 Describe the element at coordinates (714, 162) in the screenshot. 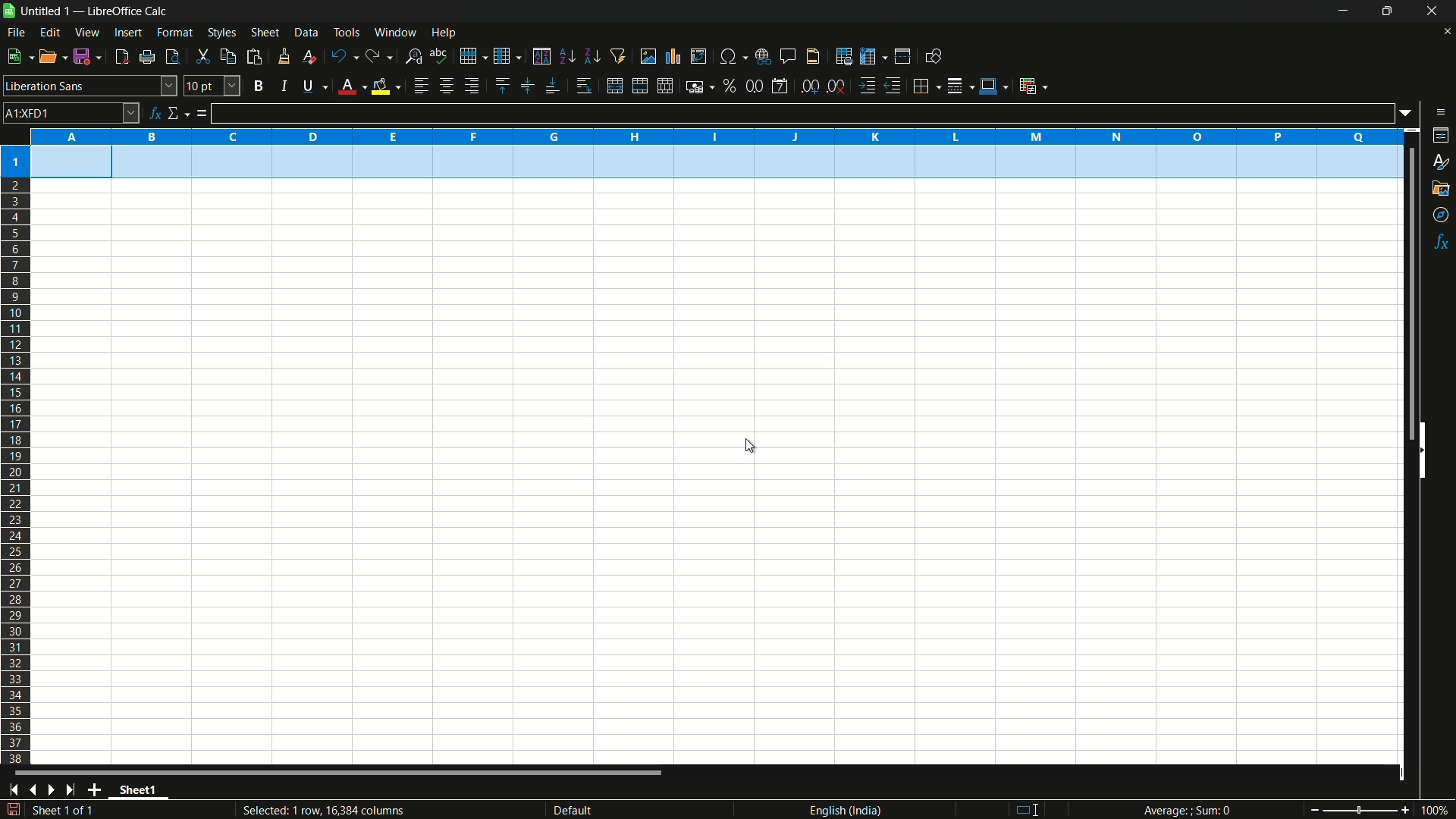

I see `row height changed to 0.90 cm` at that location.